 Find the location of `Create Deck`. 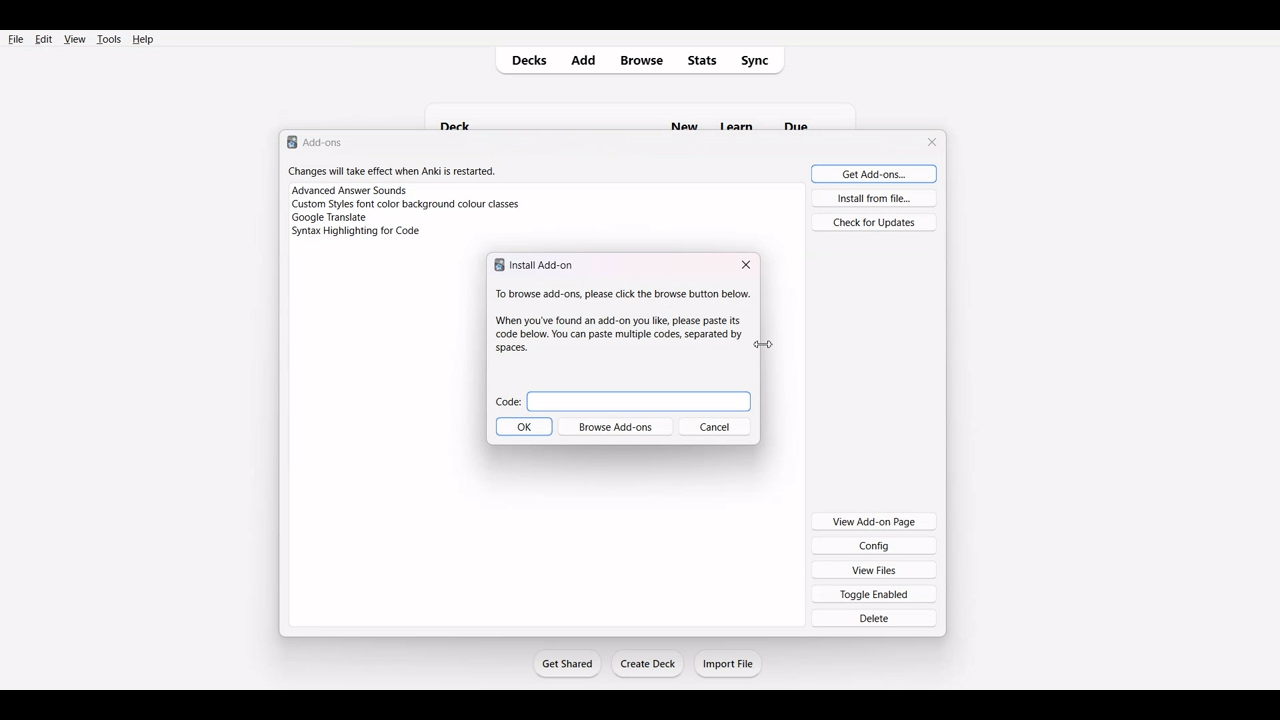

Create Deck is located at coordinates (649, 664).